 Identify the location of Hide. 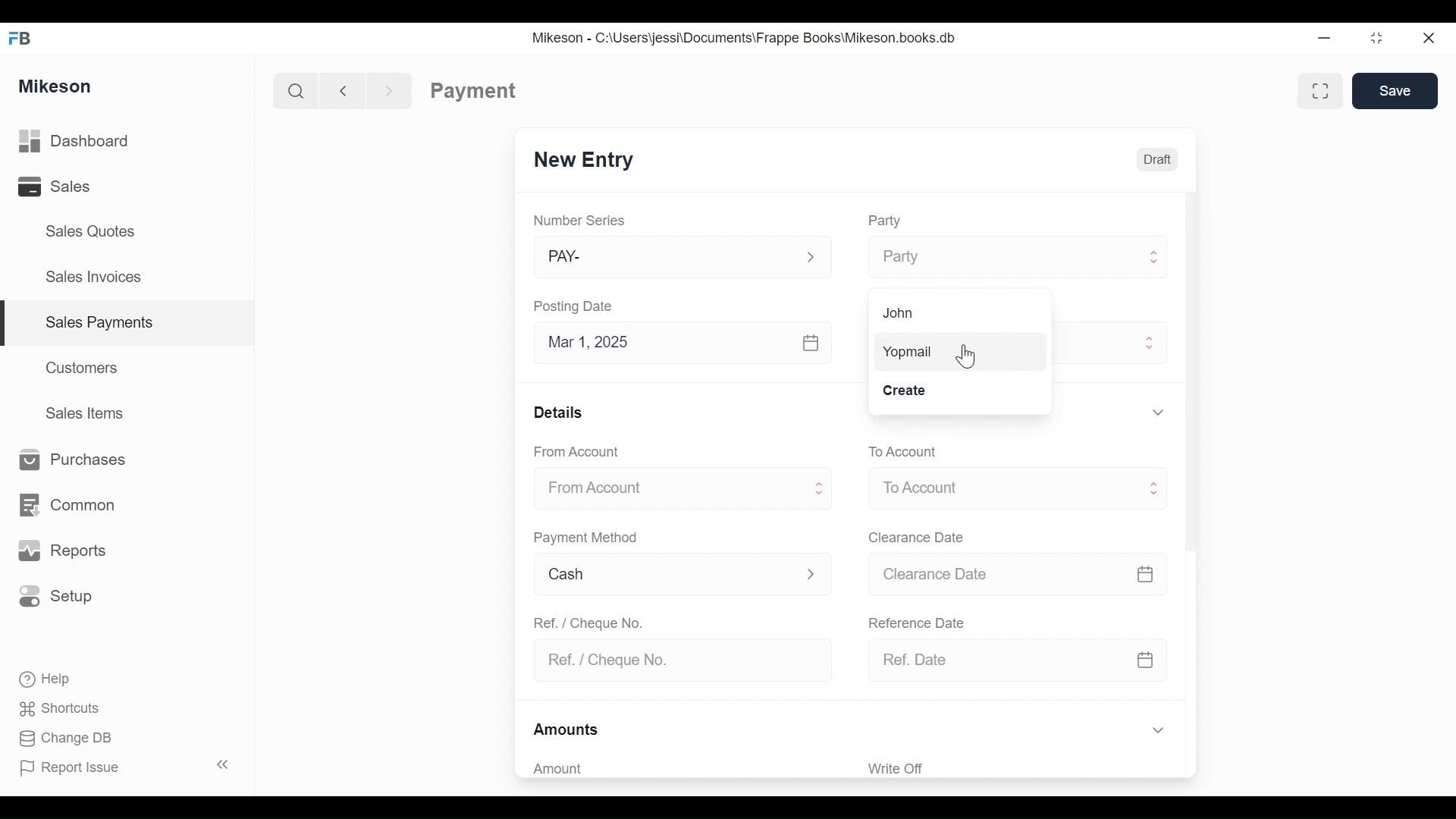
(1156, 728).